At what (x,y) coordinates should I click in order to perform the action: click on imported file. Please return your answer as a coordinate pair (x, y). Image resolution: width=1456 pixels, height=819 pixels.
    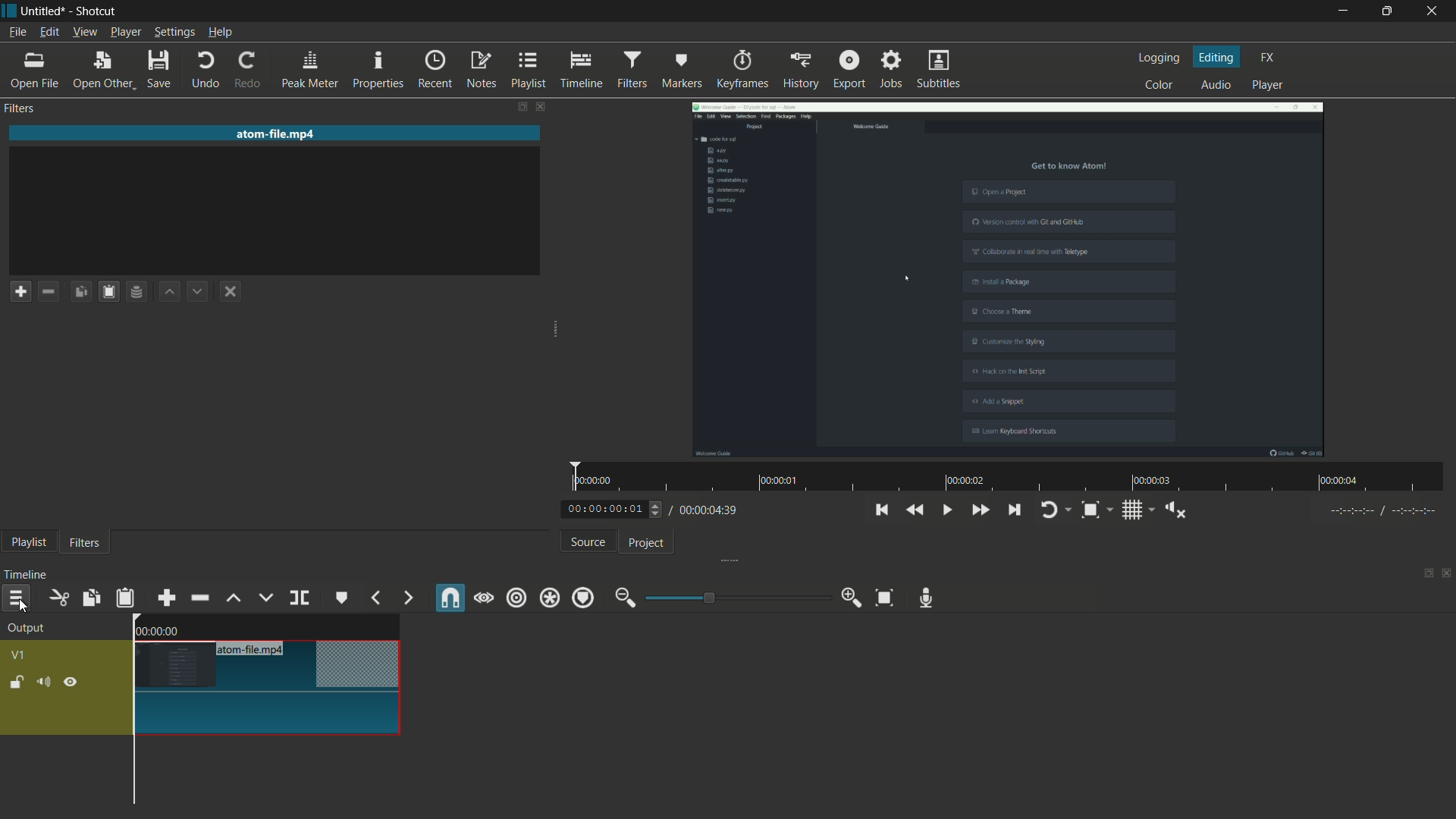
    Looking at the image, I should click on (1009, 279).